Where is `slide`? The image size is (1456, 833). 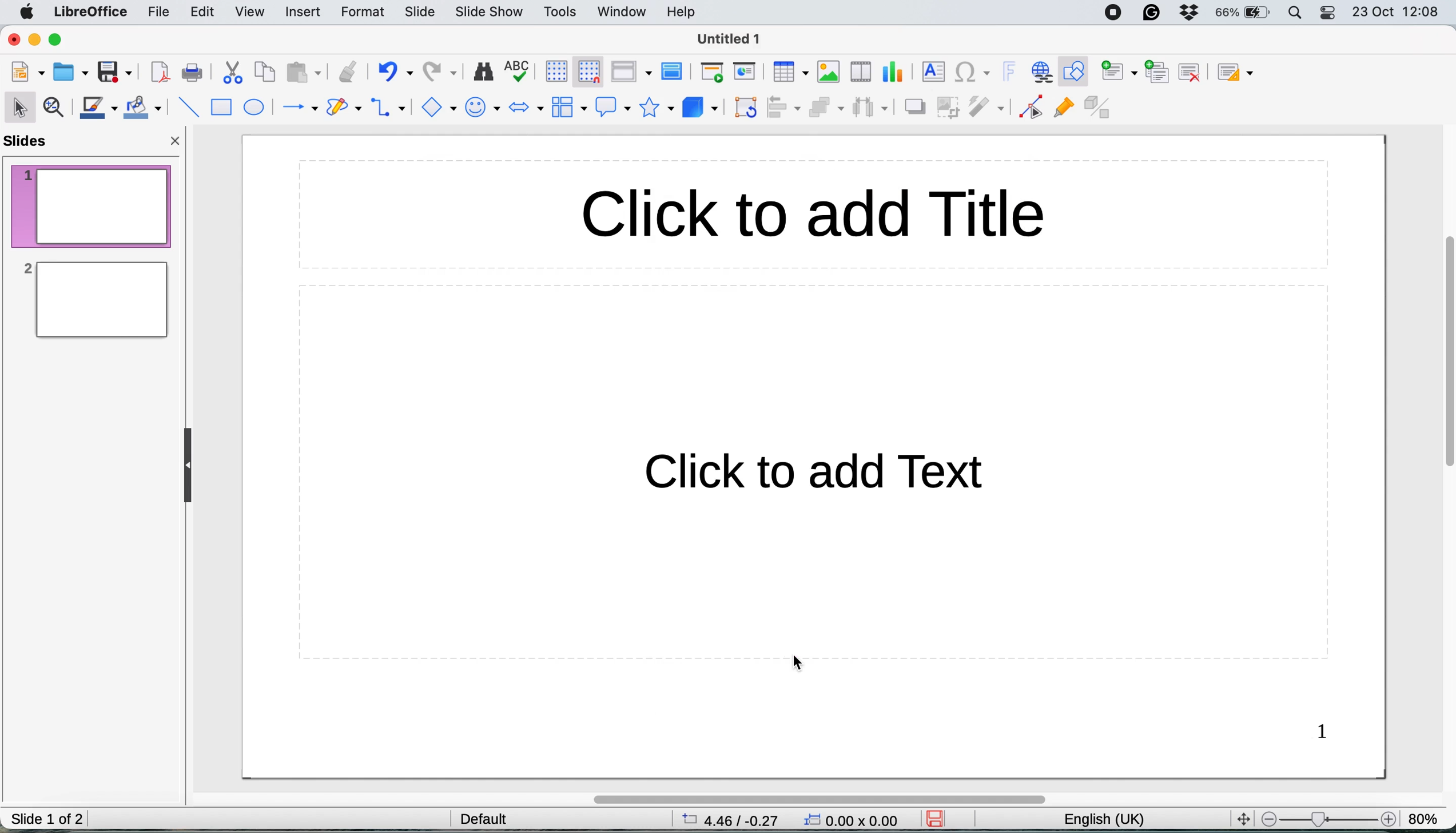
slide is located at coordinates (420, 13).